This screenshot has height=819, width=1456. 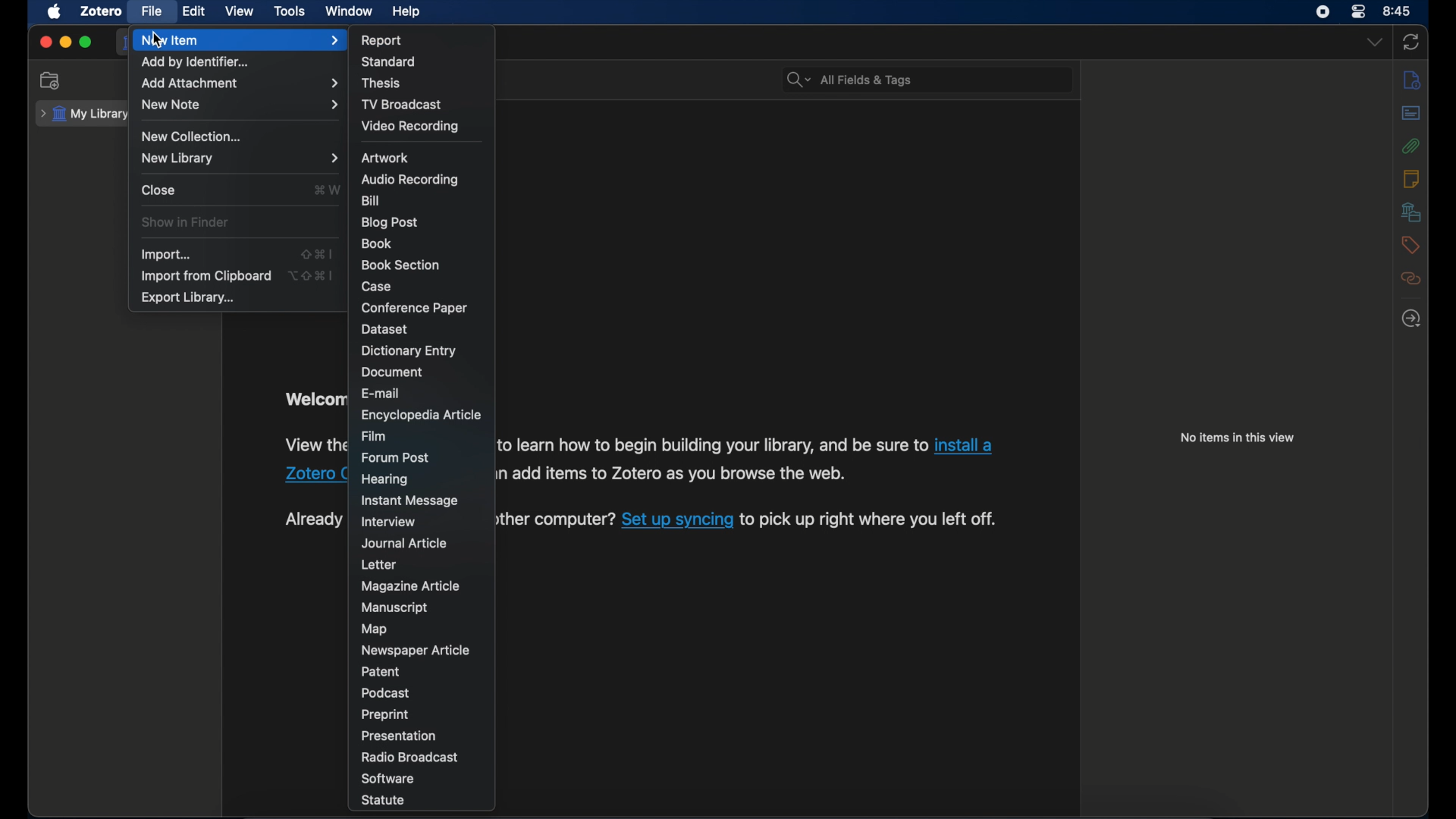 What do you see at coordinates (83, 115) in the screenshot?
I see `my library` at bounding box center [83, 115].